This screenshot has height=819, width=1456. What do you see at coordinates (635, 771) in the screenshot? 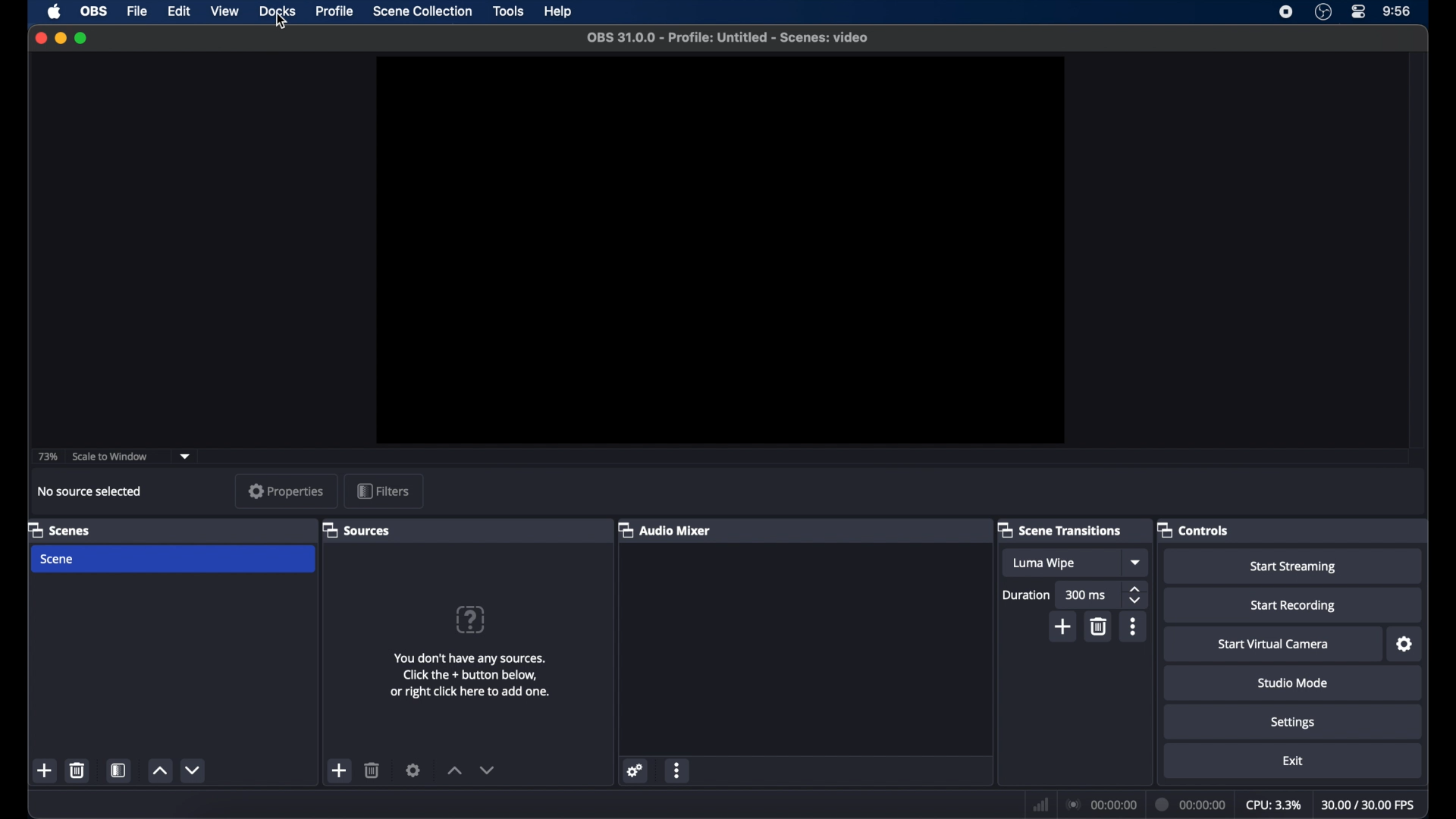
I see `settings` at bounding box center [635, 771].